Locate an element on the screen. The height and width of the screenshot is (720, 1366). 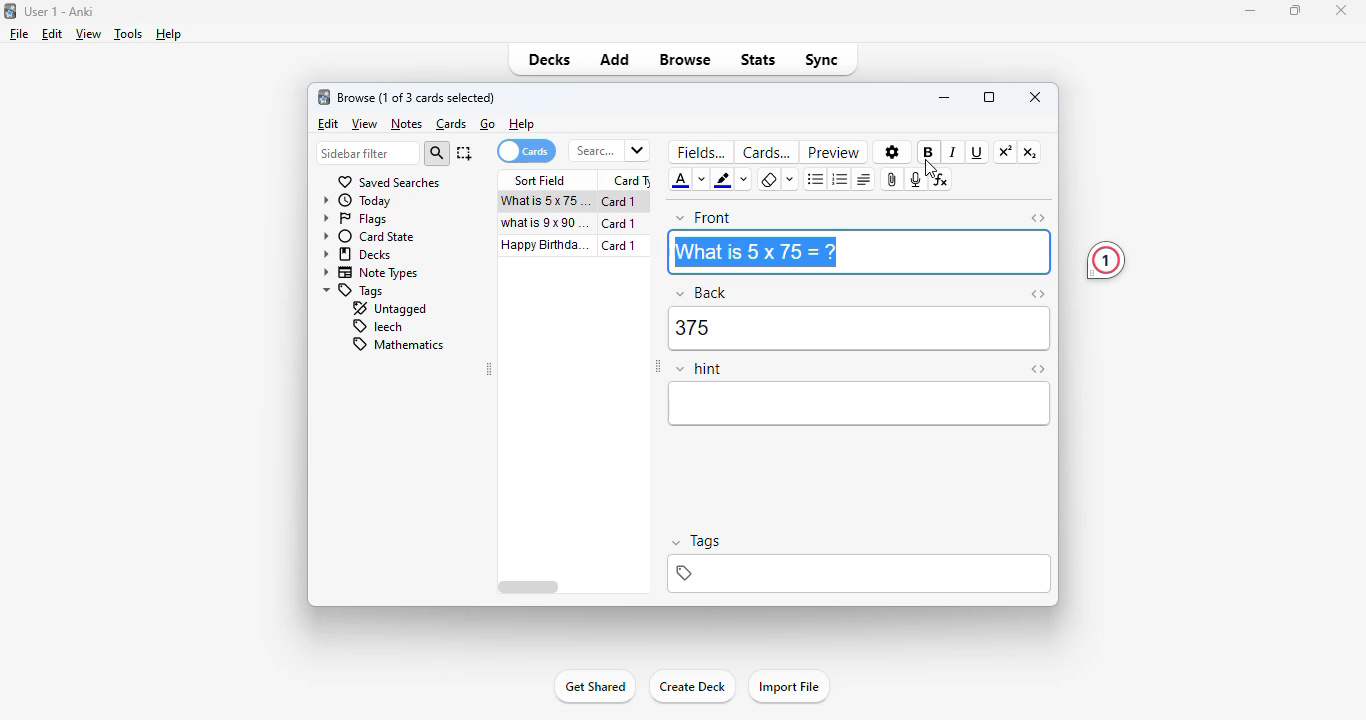
text highlight color is located at coordinates (725, 180).